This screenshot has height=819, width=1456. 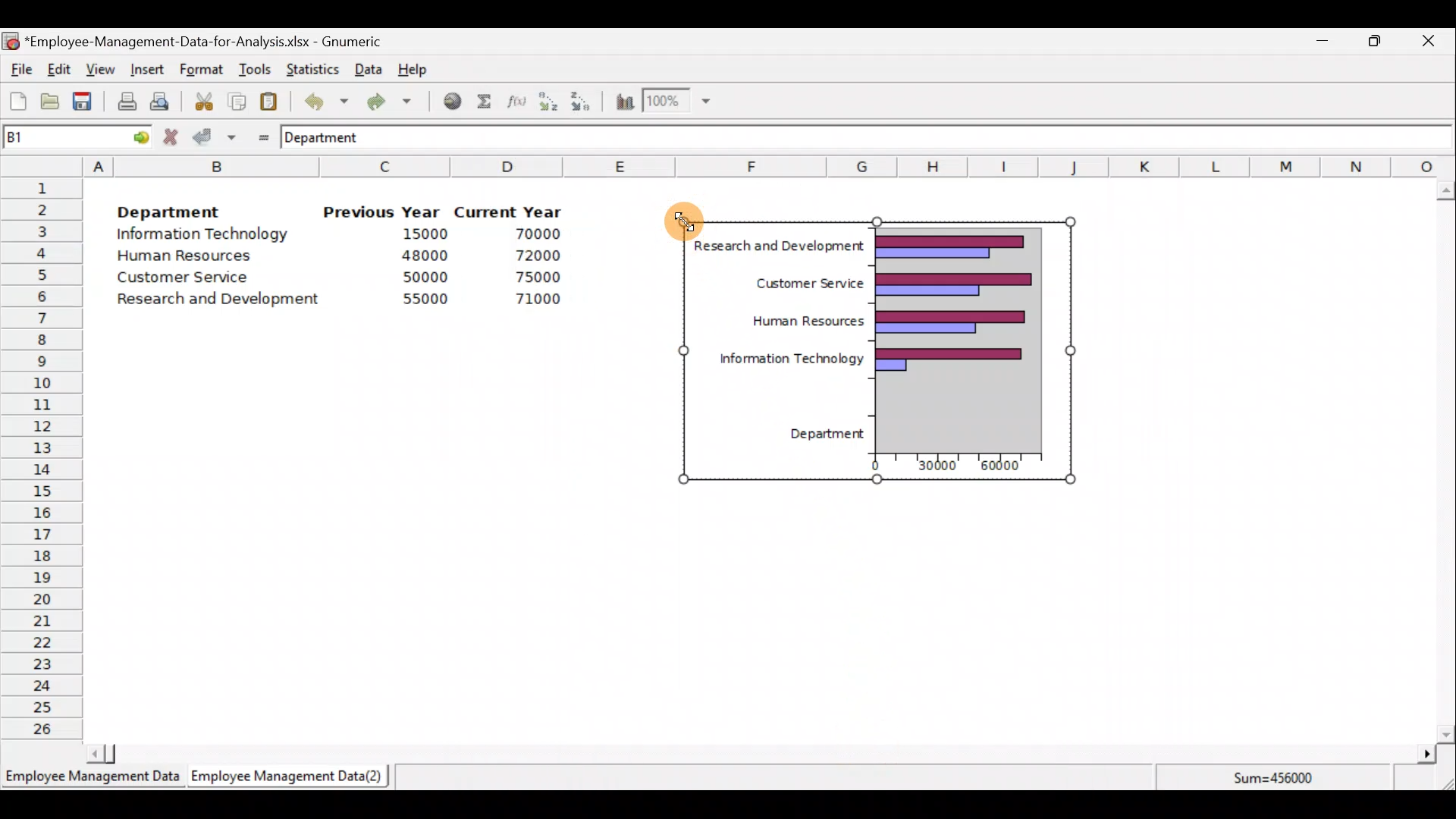 I want to click on Customer Service, so click(x=187, y=281).